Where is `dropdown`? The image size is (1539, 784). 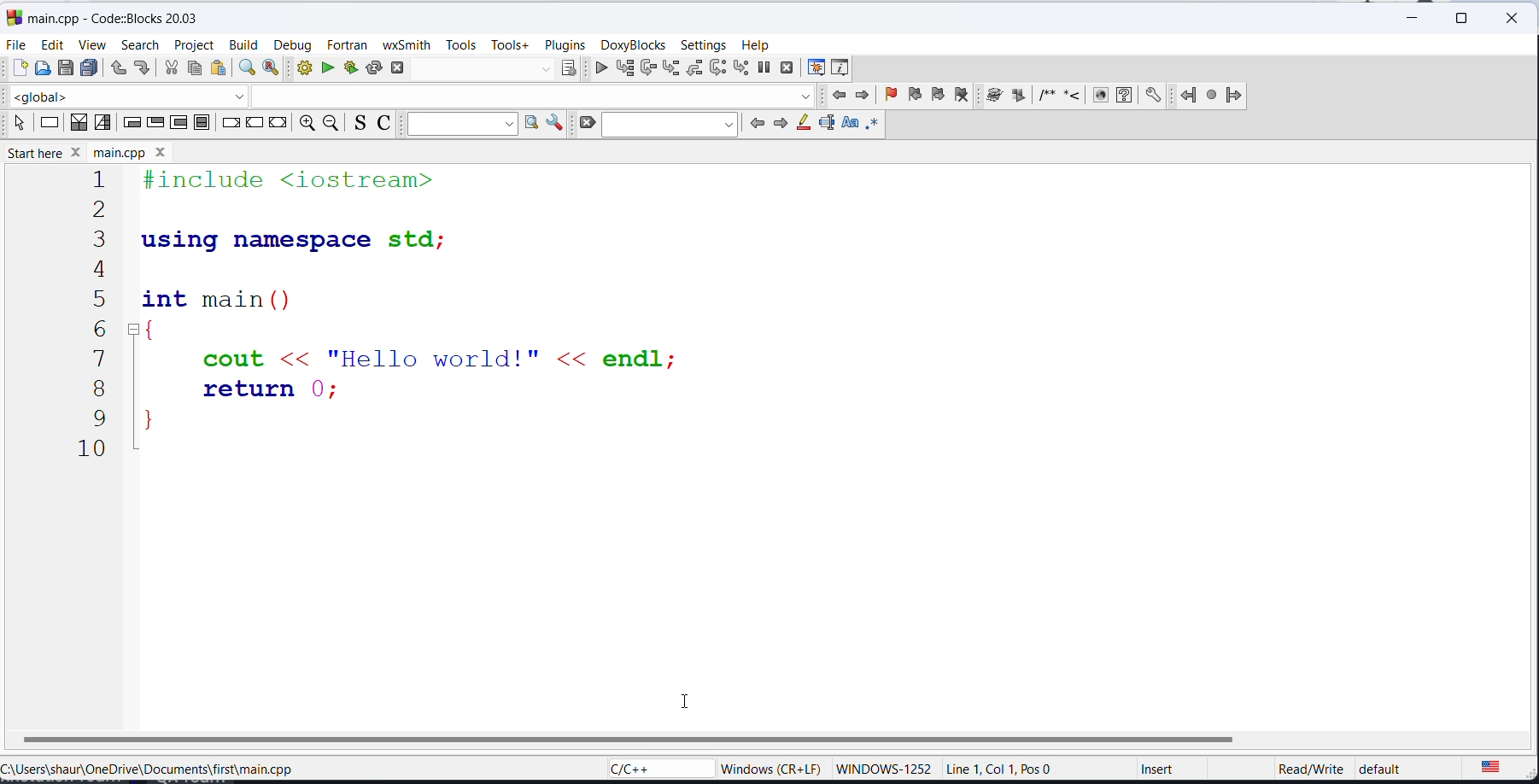 dropdown is located at coordinates (461, 125).